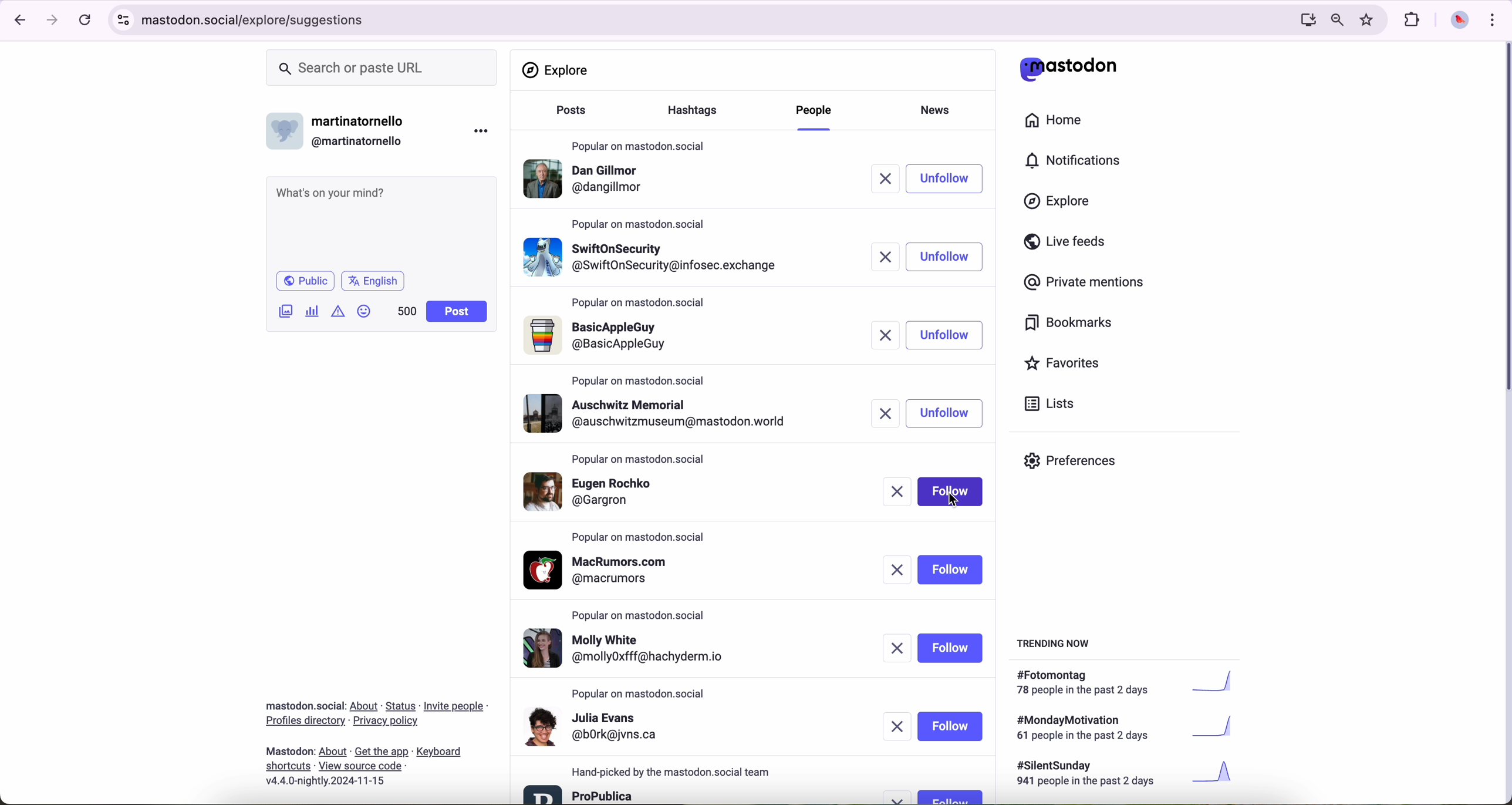 This screenshot has height=805, width=1512. Describe the element at coordinates (953, 499) in the screenshot. I see `cursor` at that location.